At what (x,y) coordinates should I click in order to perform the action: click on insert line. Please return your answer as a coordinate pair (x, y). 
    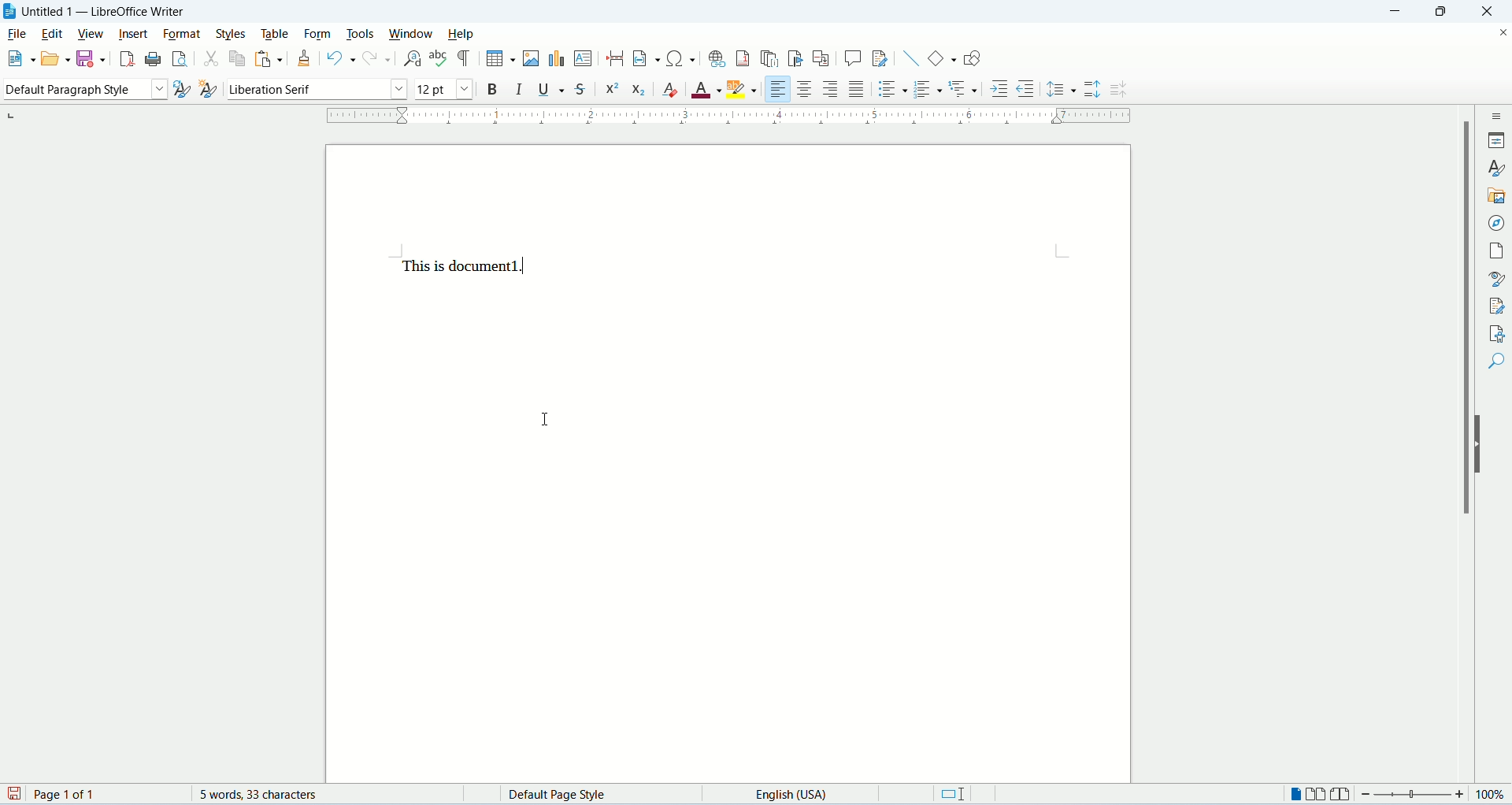
    Looking at the image, I should click on (911, 58).